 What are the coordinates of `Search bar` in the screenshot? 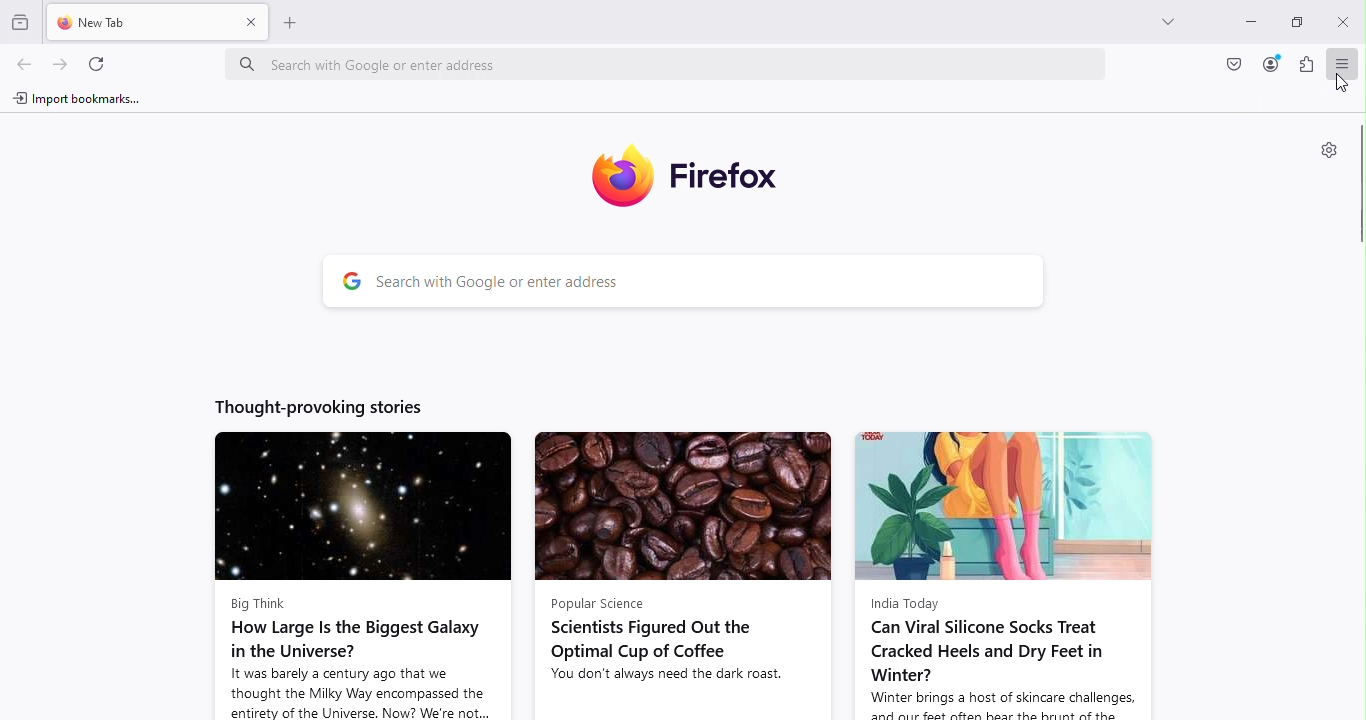 It's located at (682, 280).